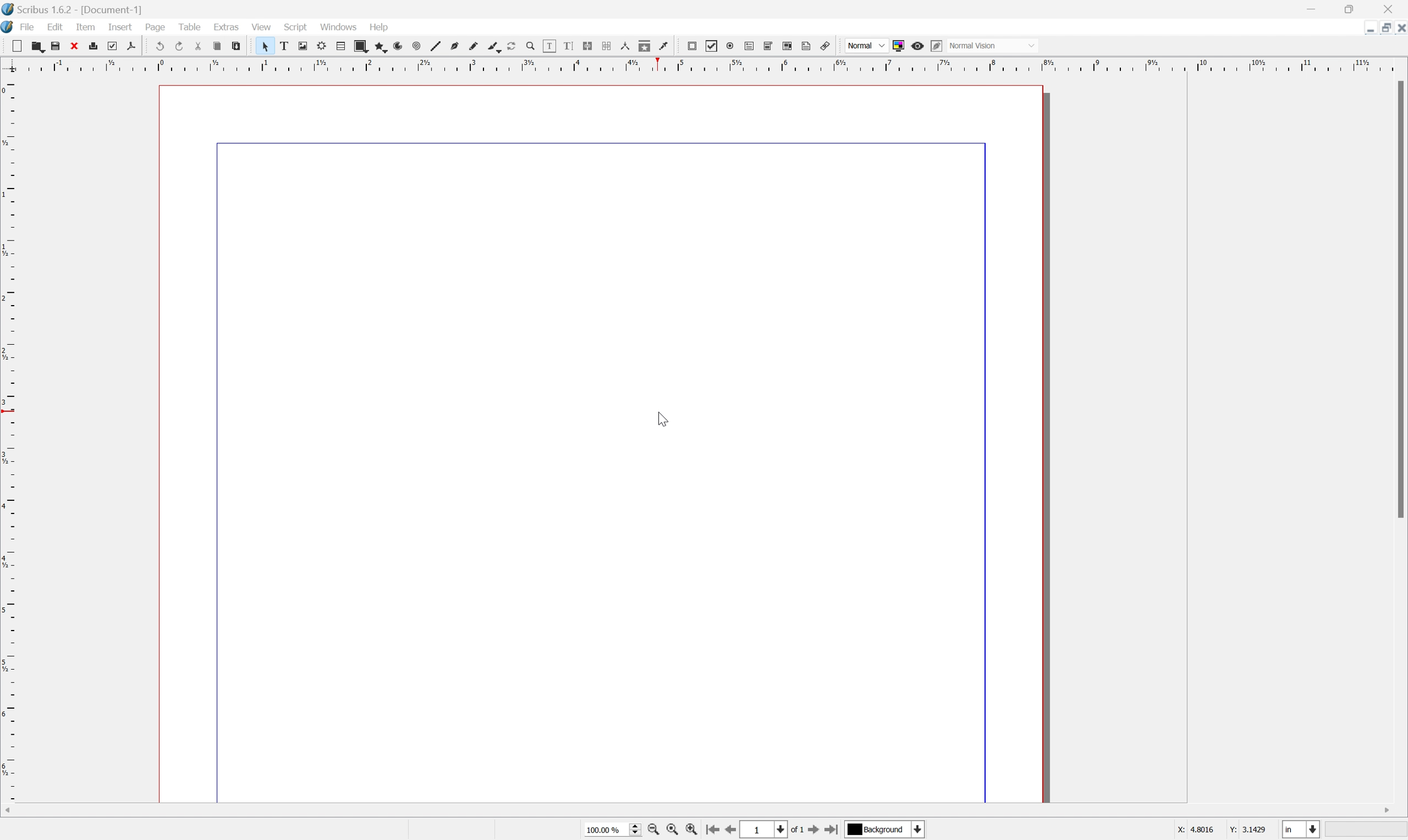 Image resolution: width=1408 pixels, height=840 pixels. Describe the element at coordinates (302, 45) in the screenshot. I see `image frame` at that location.